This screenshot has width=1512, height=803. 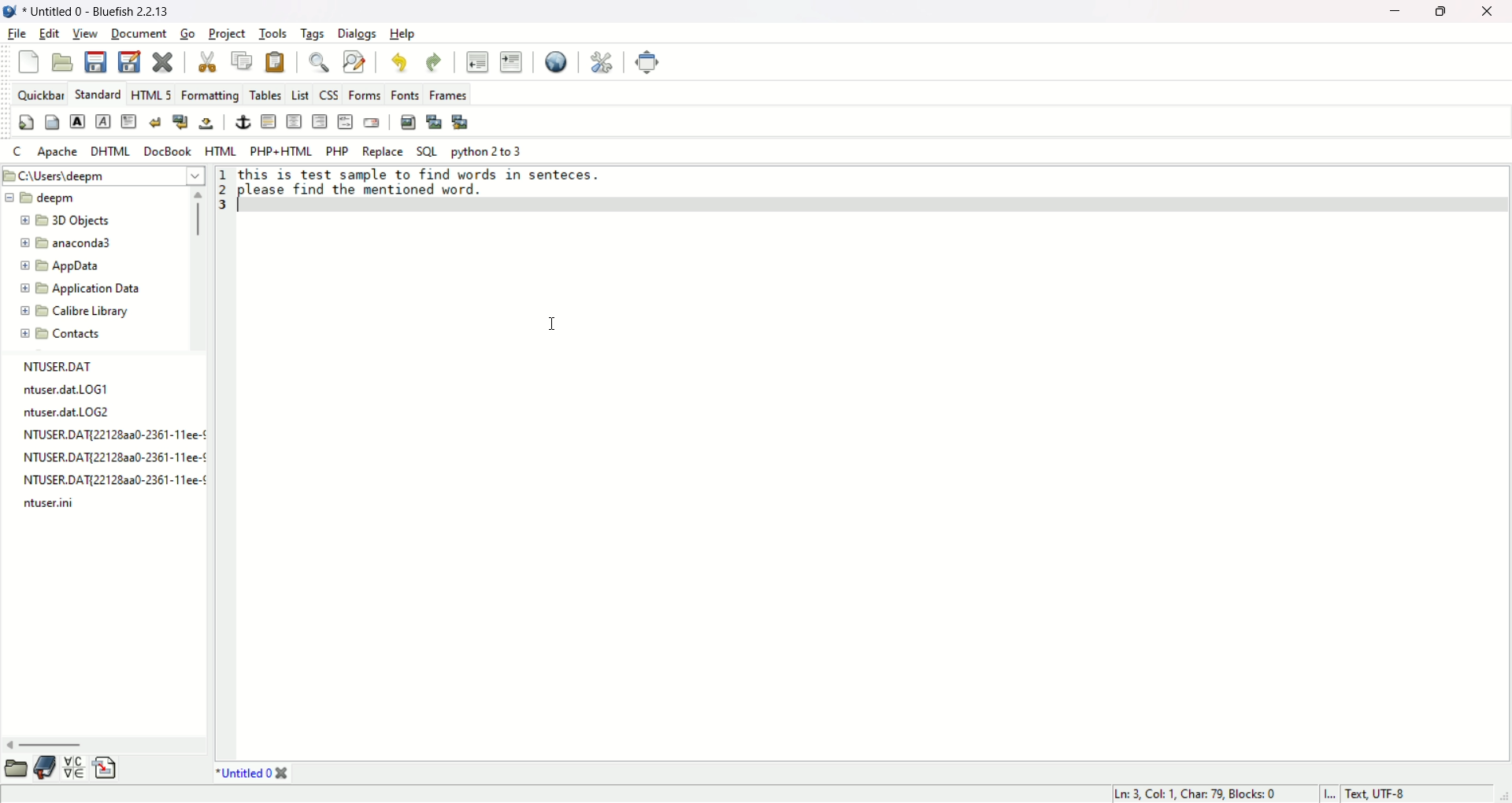 I want to click on test sample to find words in sentences, please find the mentioned word, so click(x=420, y=181).